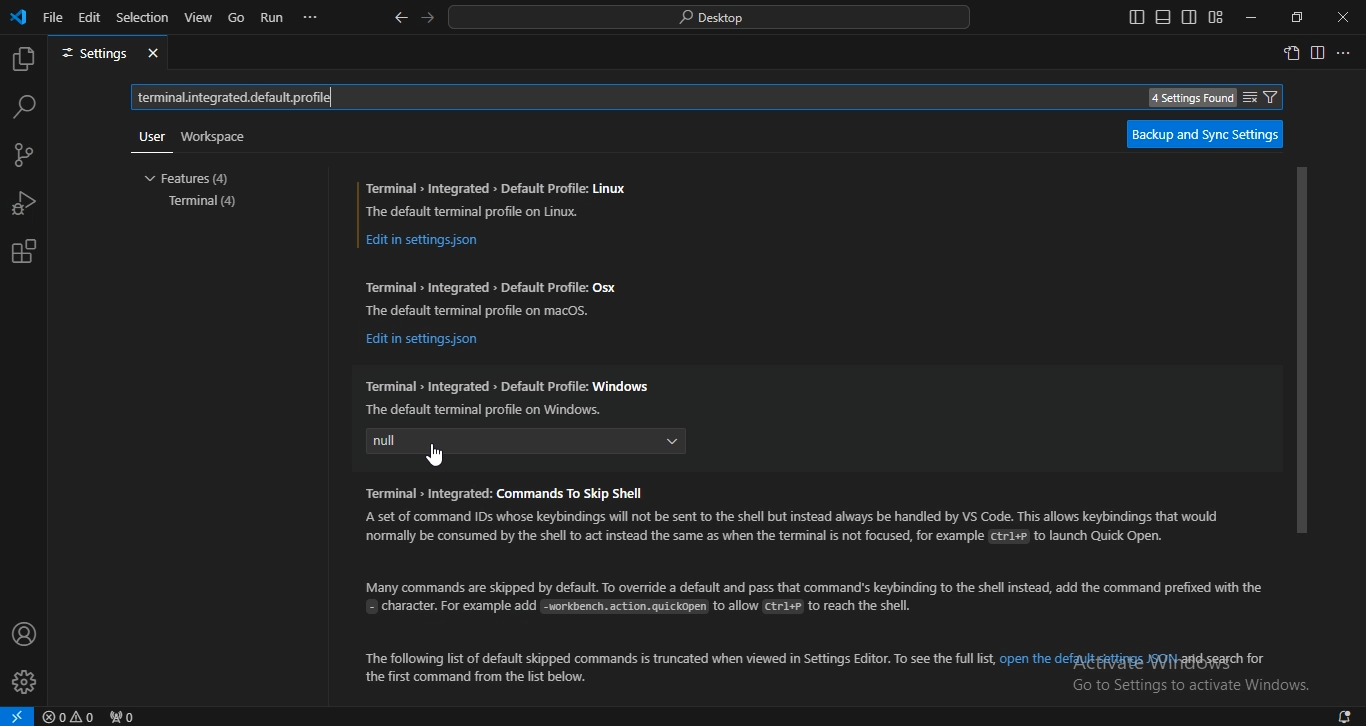  What do you see at coordinates (423, 340) in the screenshot?
I see `Edit in settingsjson` at bounding box center [423, 340].